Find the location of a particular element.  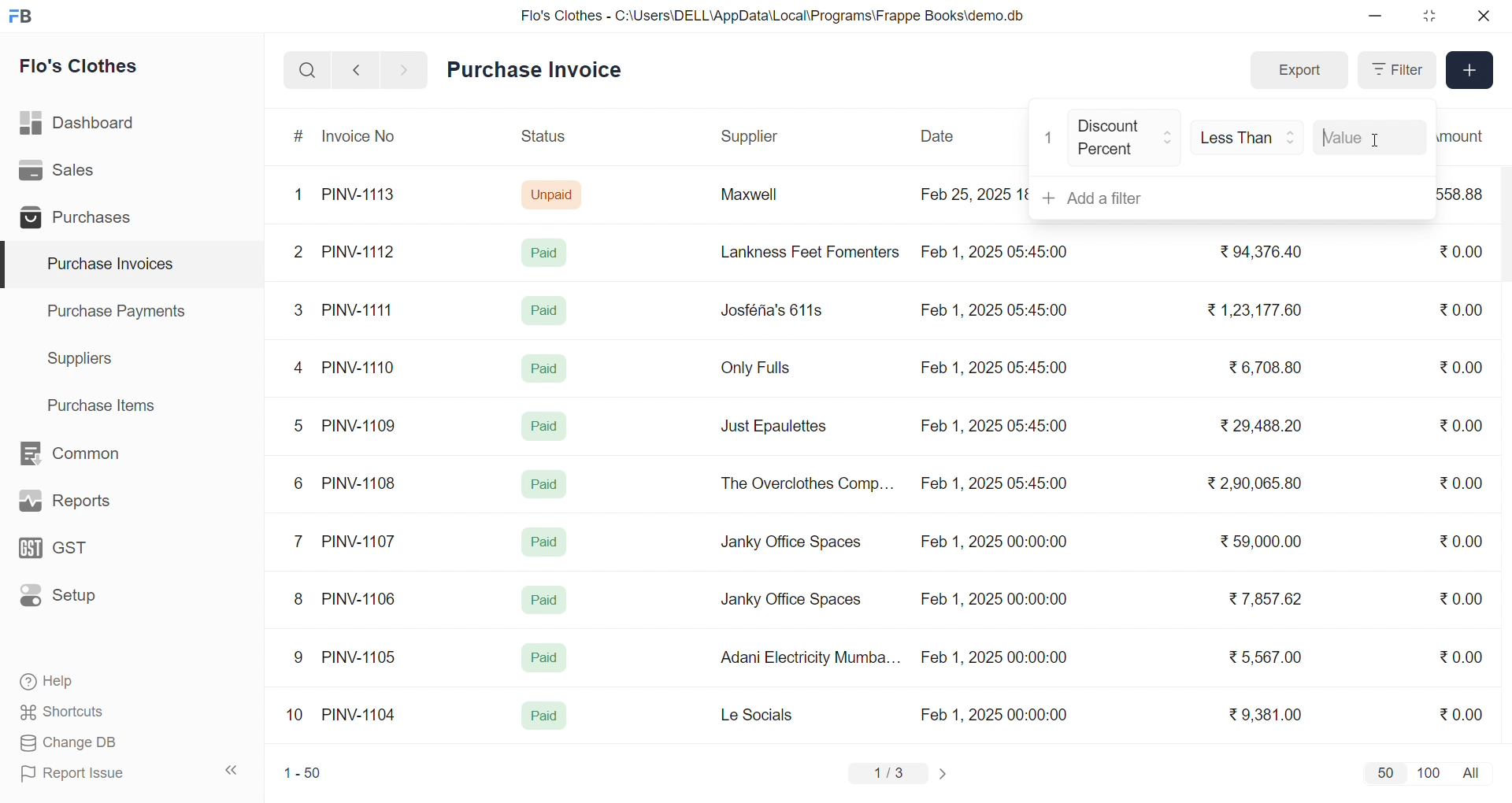

PINV-1108 is located at coordinates (360, 483).